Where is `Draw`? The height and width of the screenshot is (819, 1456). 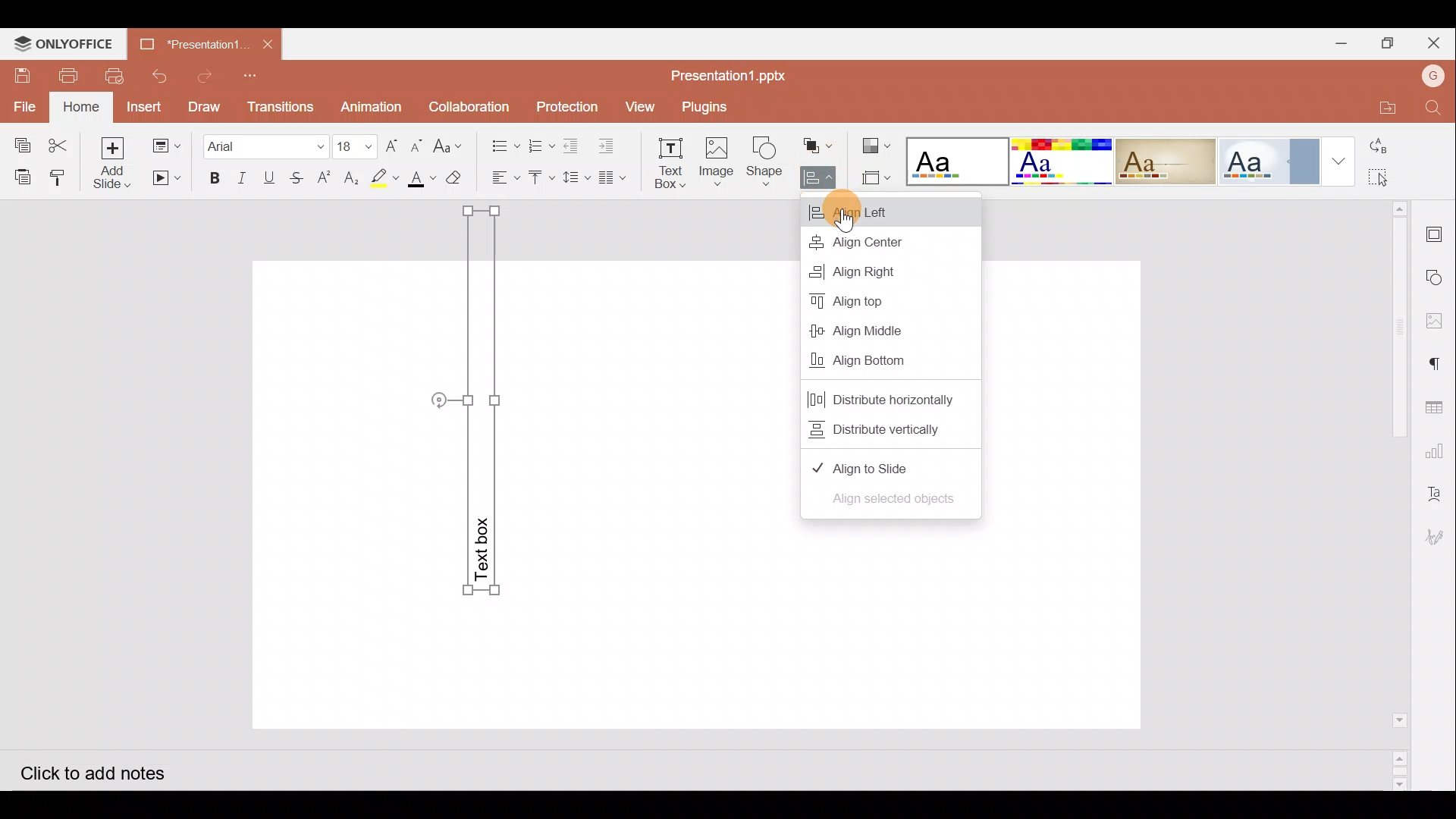
Draw is located at coordinates (203, 105).